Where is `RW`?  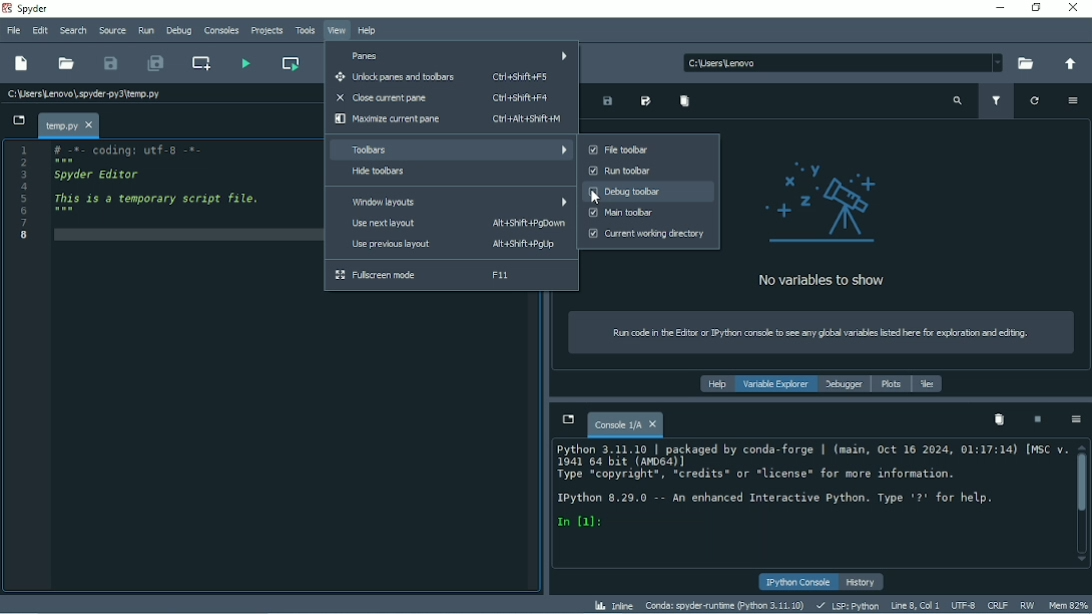 RW is located at coordinates (1026, 604).